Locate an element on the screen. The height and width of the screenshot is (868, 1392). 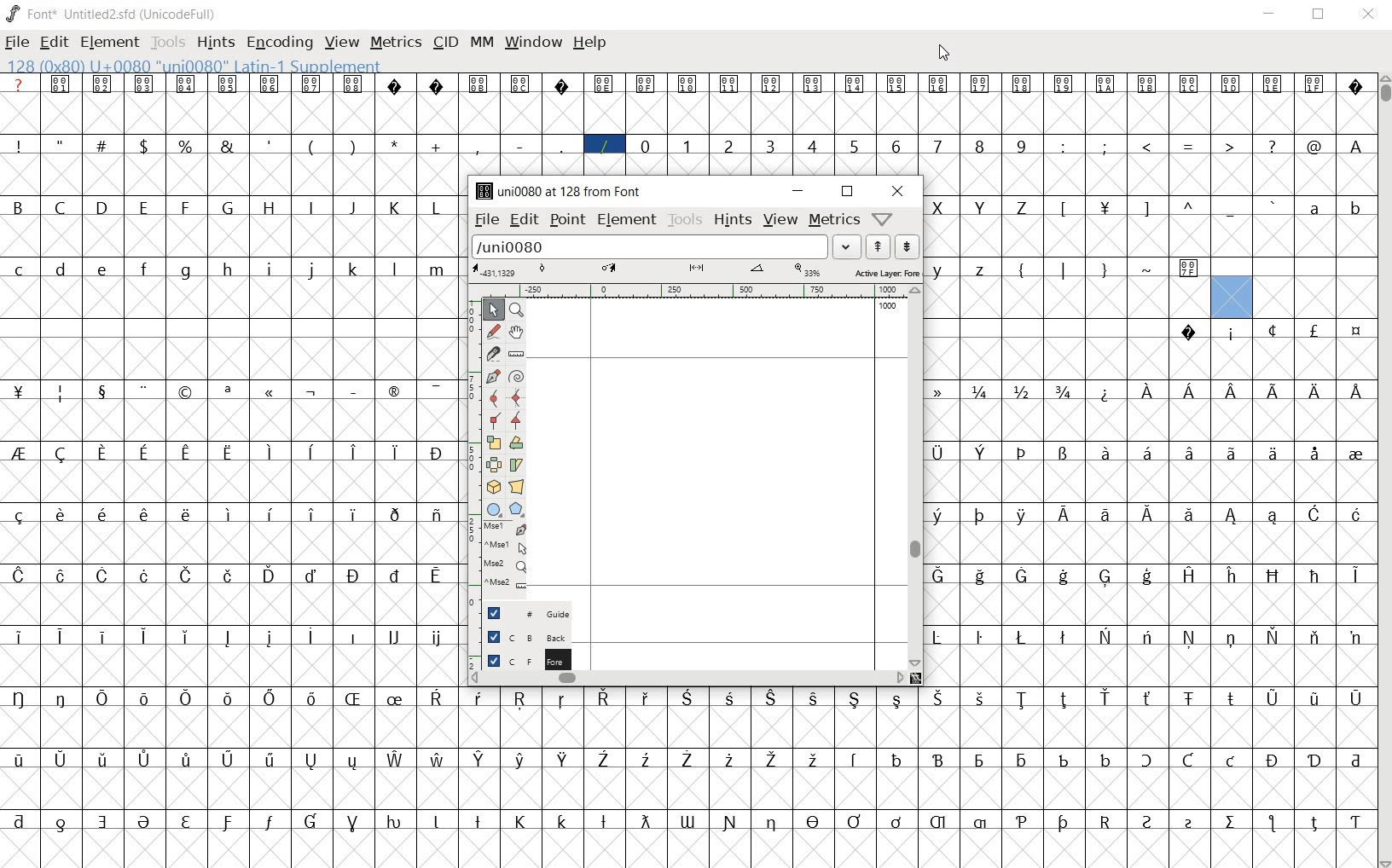
glyph is located at coordinates (1232, 698).